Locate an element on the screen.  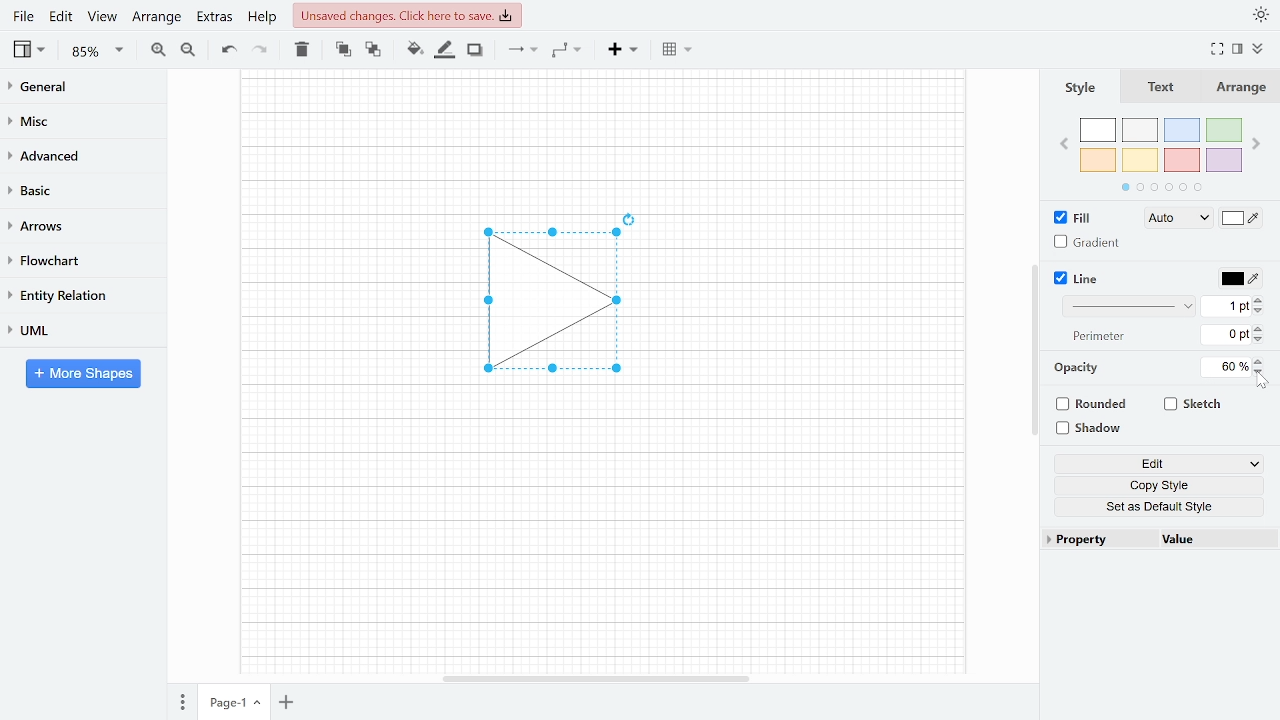
cursor is located at coordinates (1264, 383).